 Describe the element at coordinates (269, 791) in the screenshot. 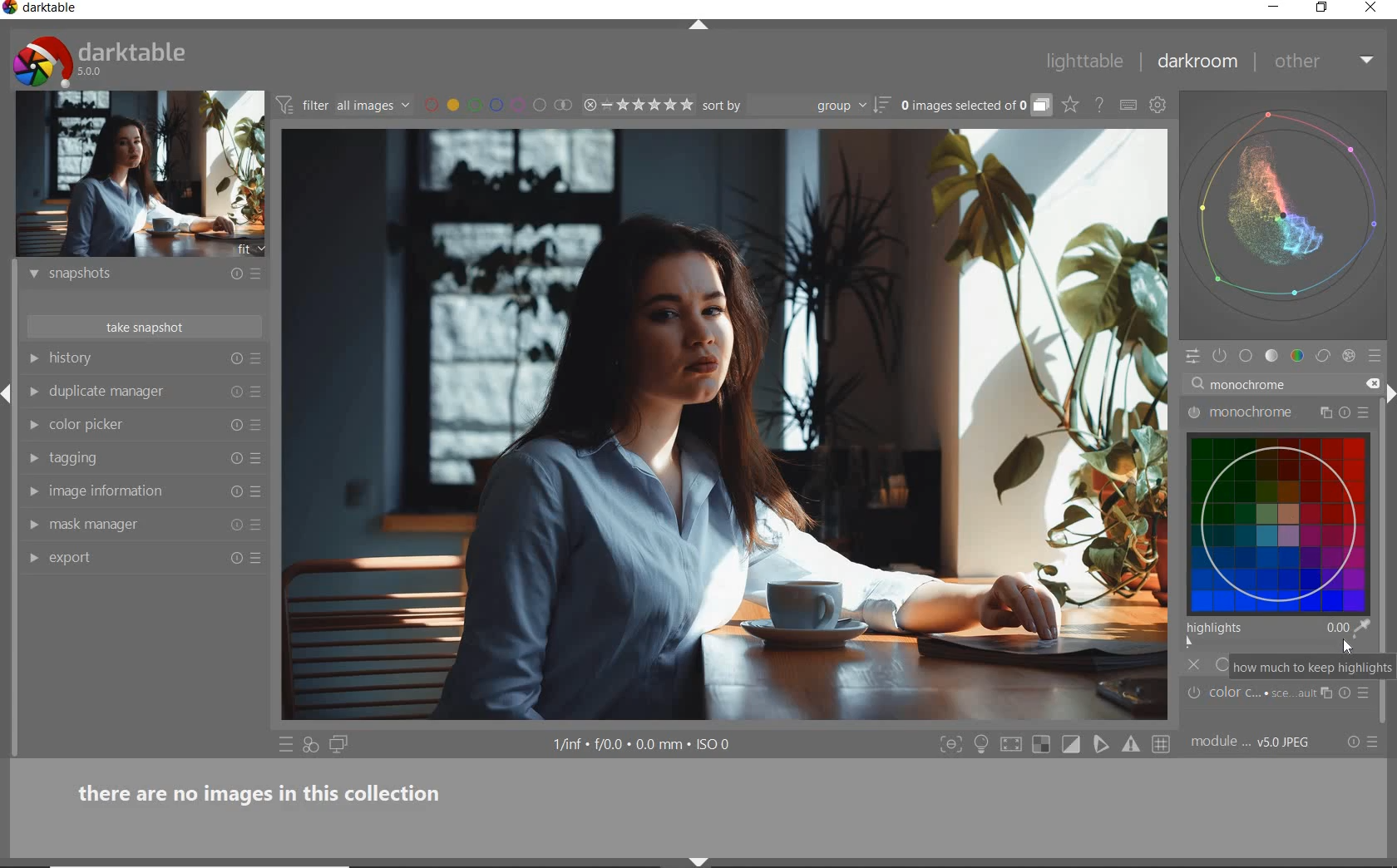

I see `there are no images in this collection` at that location.